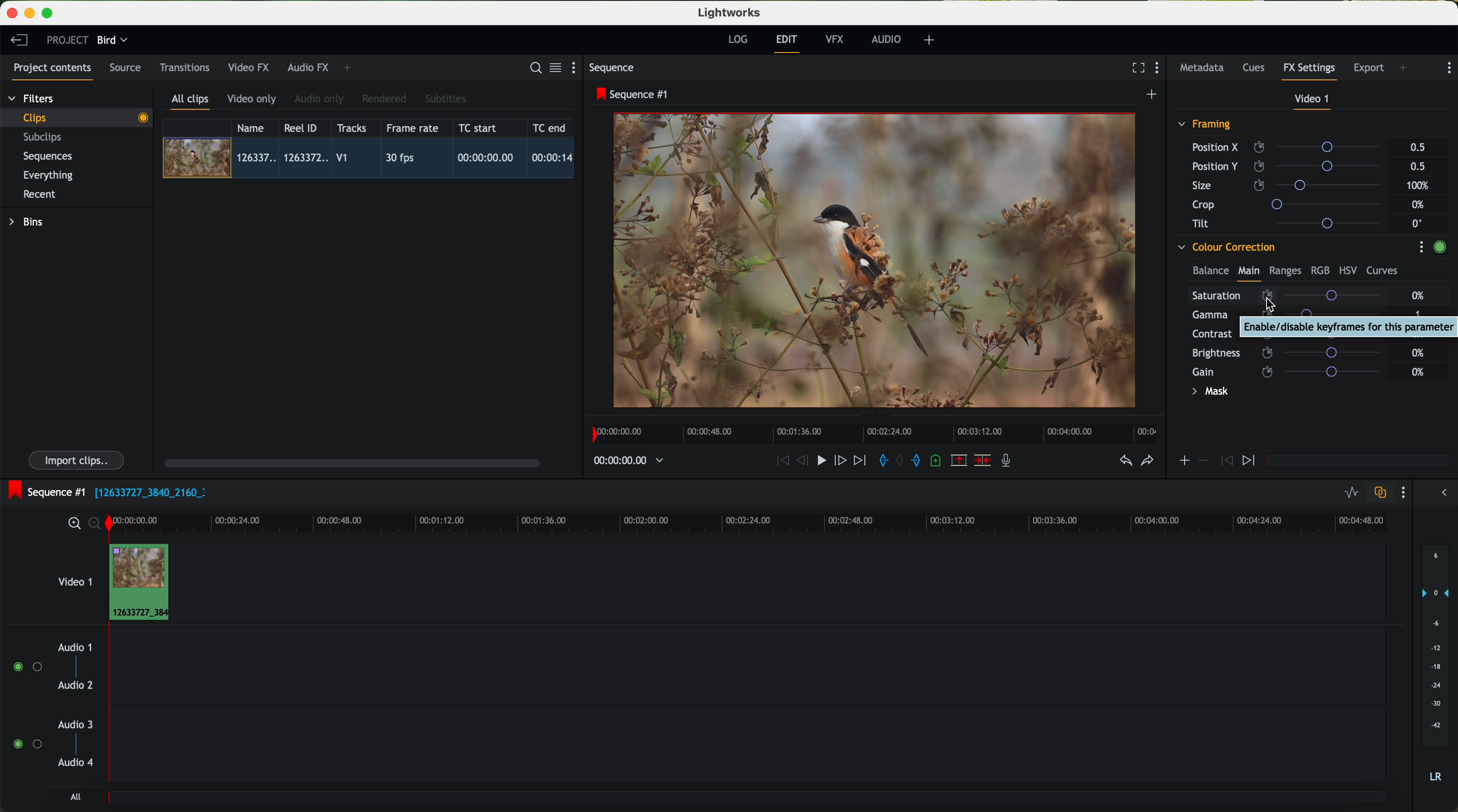  I want to click on tracks, so click(350, 128).